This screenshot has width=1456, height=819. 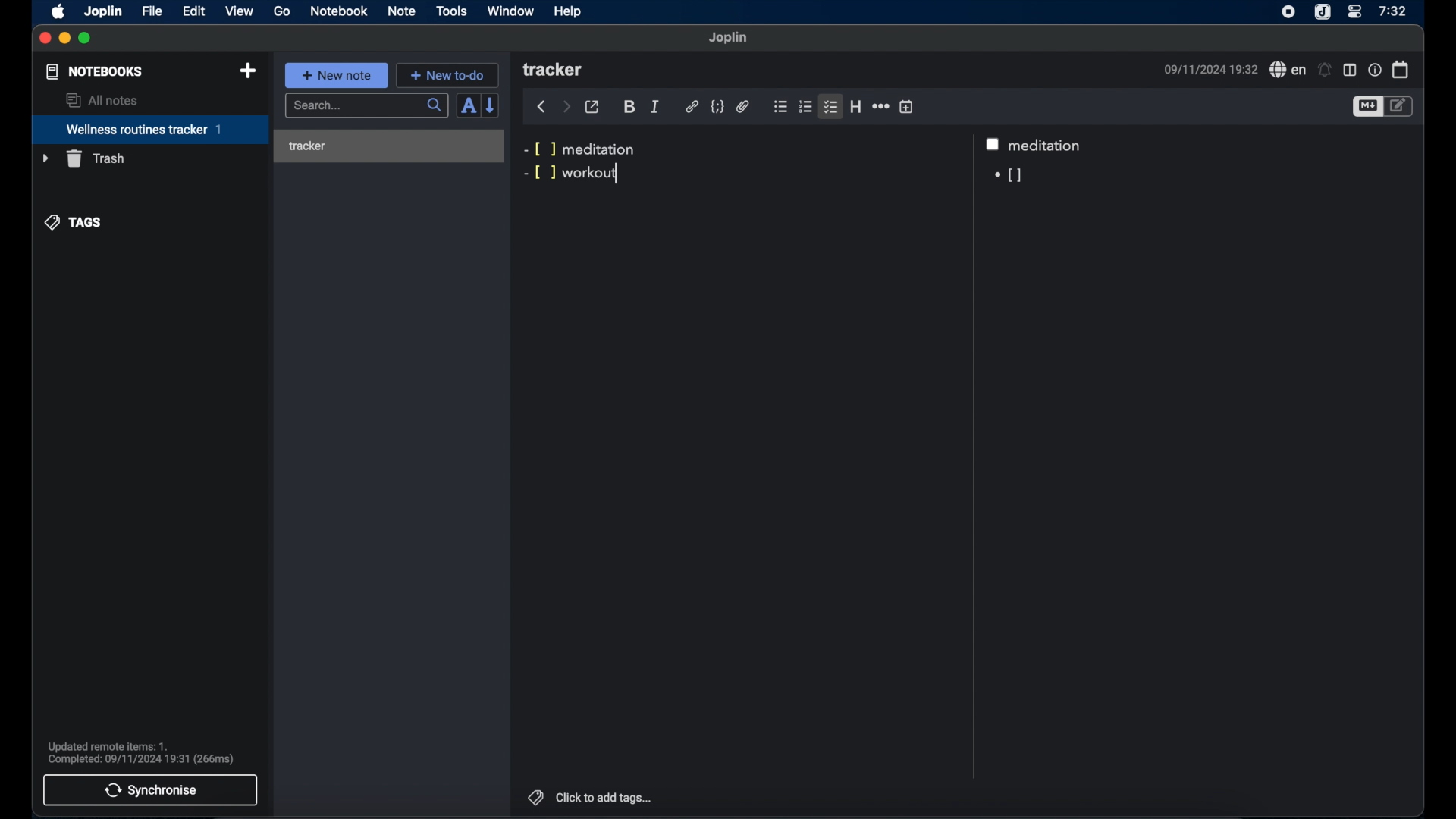 What do you see at coordinates (1392, 11) in the screenshot?
I see `7:32` at bounding box center [1392, 11].